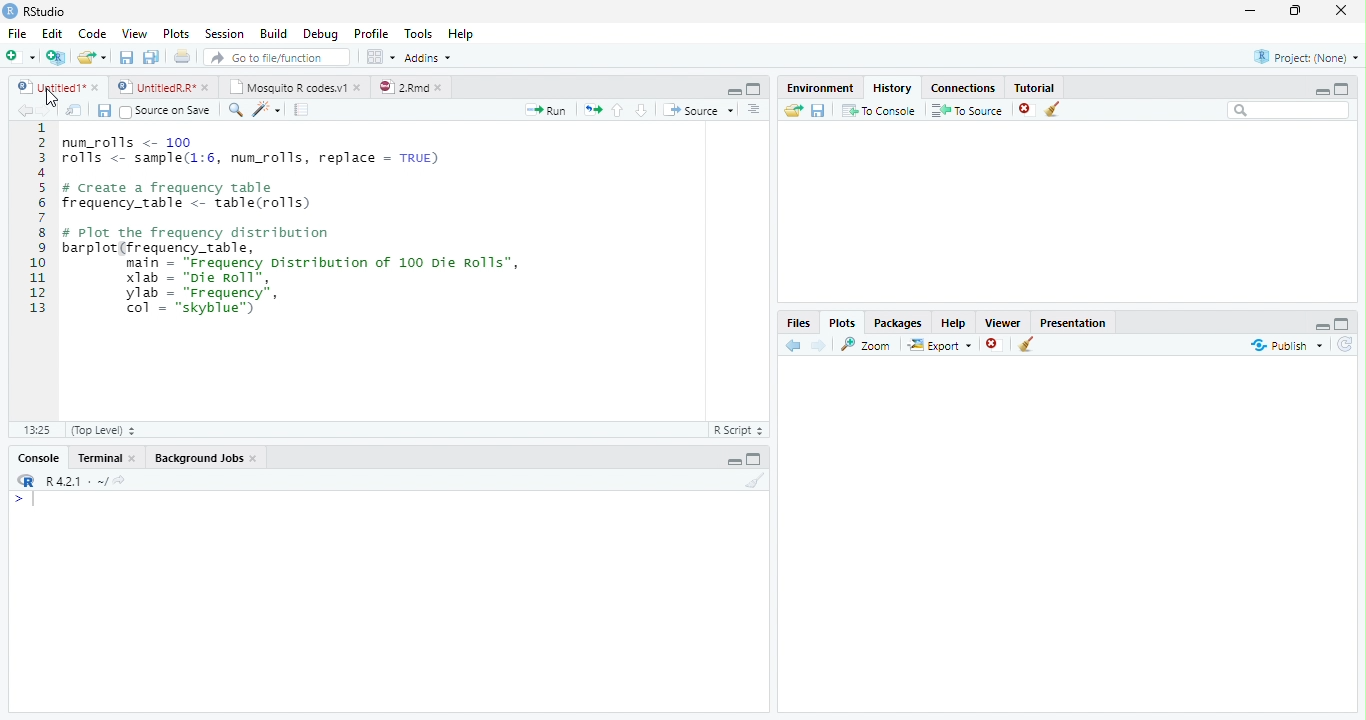 The image size is (1366, 720). What do you see at coordinates (954, 322) in the screenshot?
I see `Help` at bounding box center [954, 322].